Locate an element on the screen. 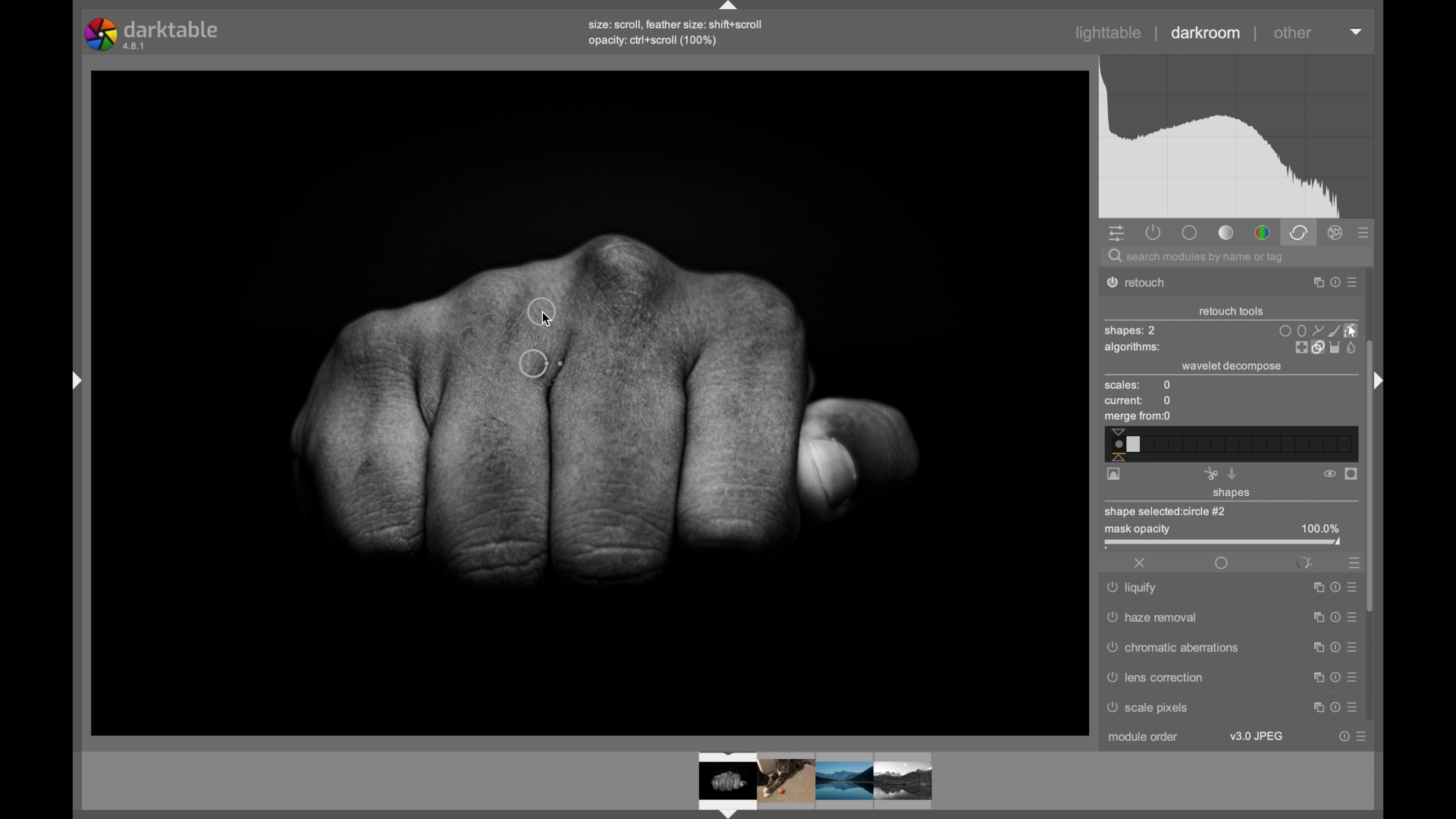  lens correction is located at coordinates (1166, 677).